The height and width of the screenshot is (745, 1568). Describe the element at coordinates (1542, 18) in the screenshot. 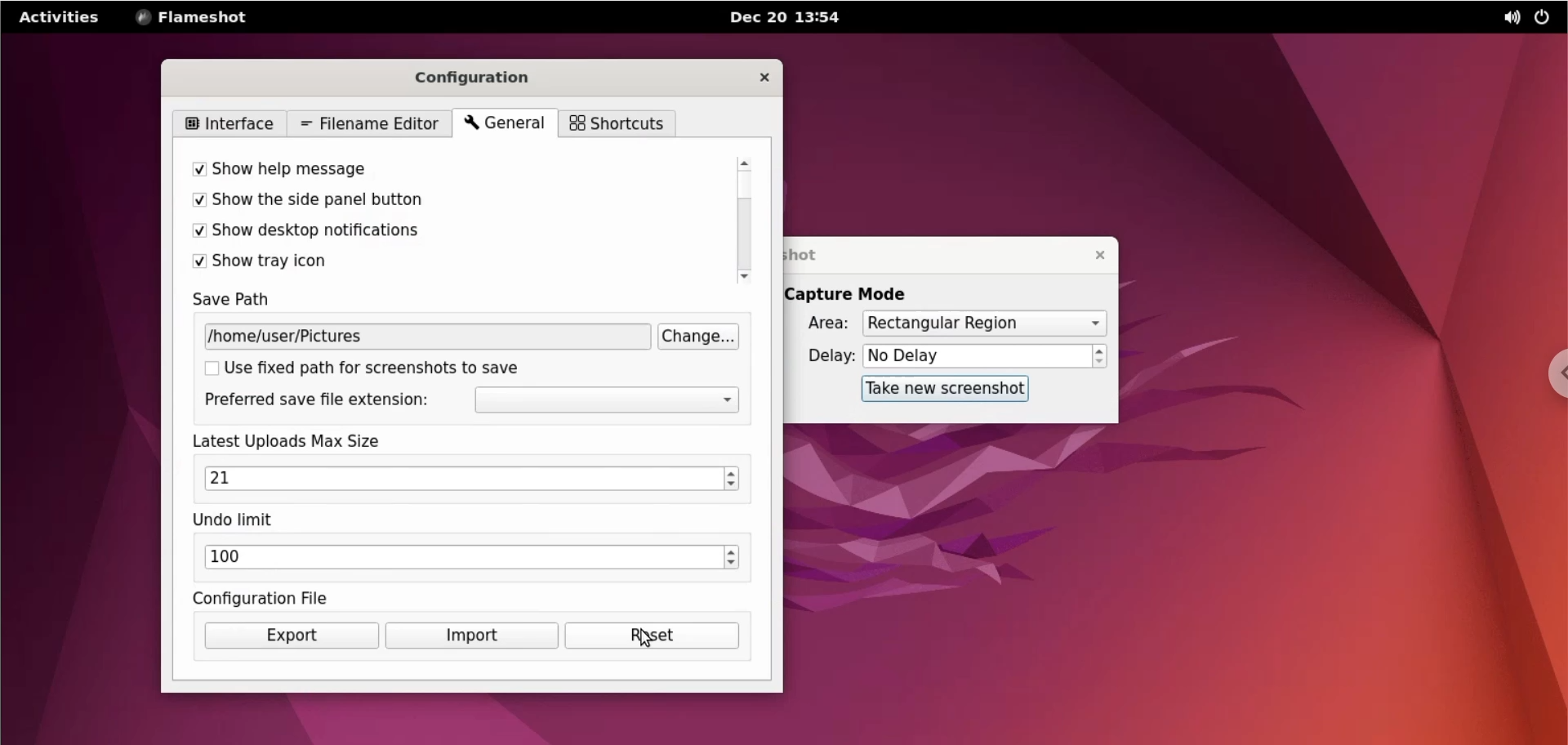

I see `power options` at that location.